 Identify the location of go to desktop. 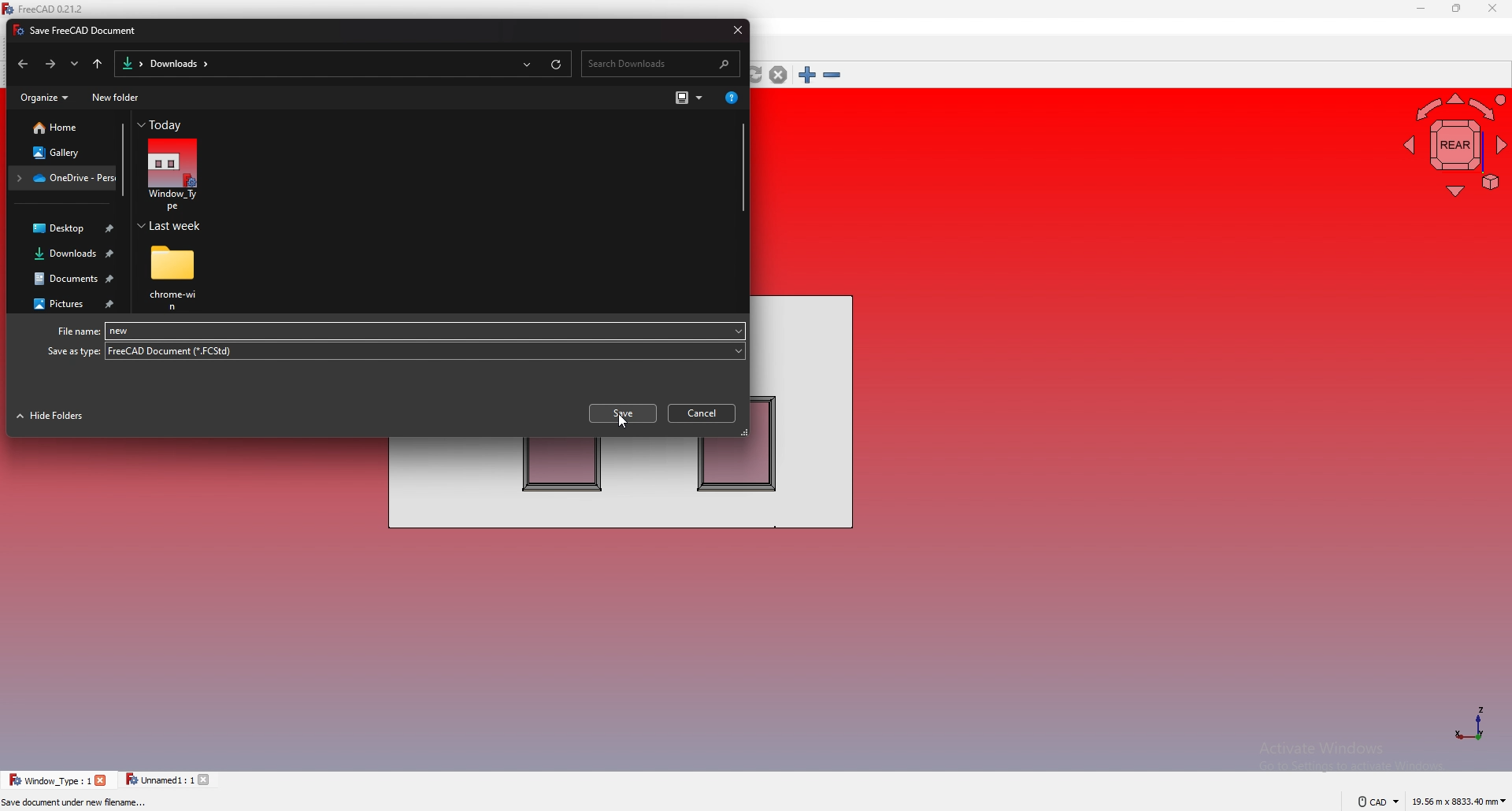
(98, 64).